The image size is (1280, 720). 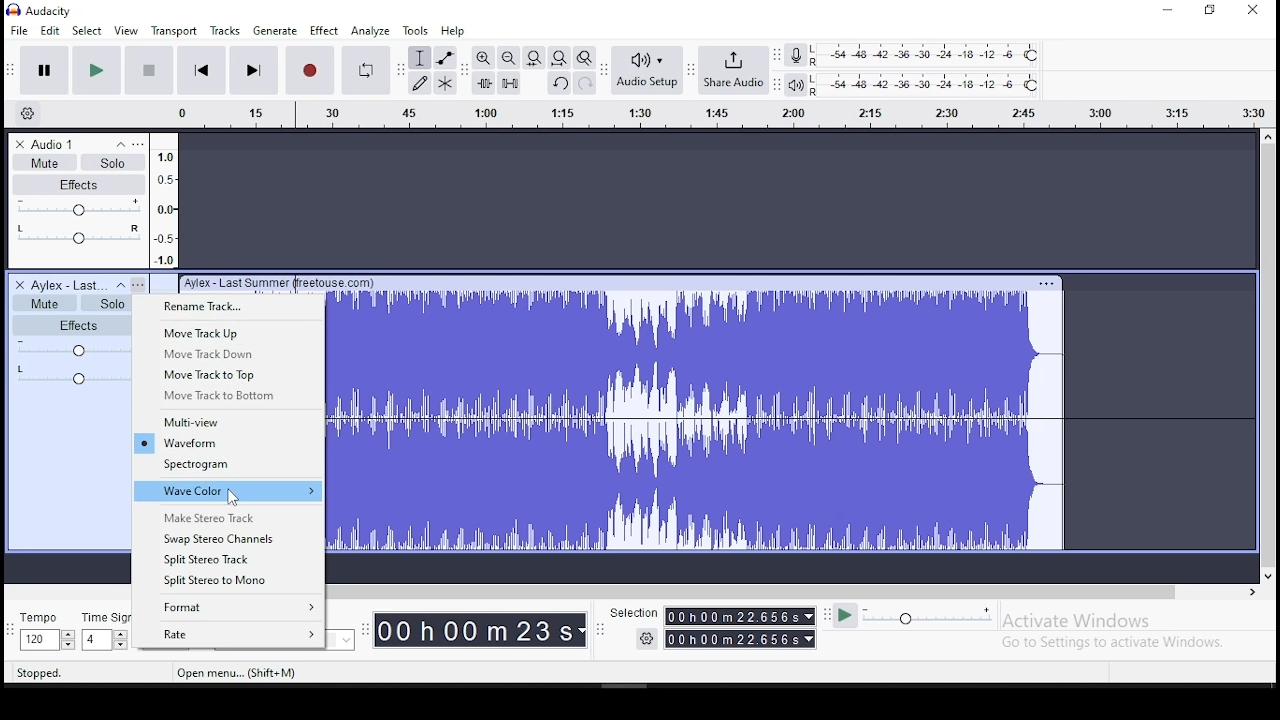 What do you see at coordinates (113, 161) in the screenshot?
I see `solo` at bounding box center [113, 161].